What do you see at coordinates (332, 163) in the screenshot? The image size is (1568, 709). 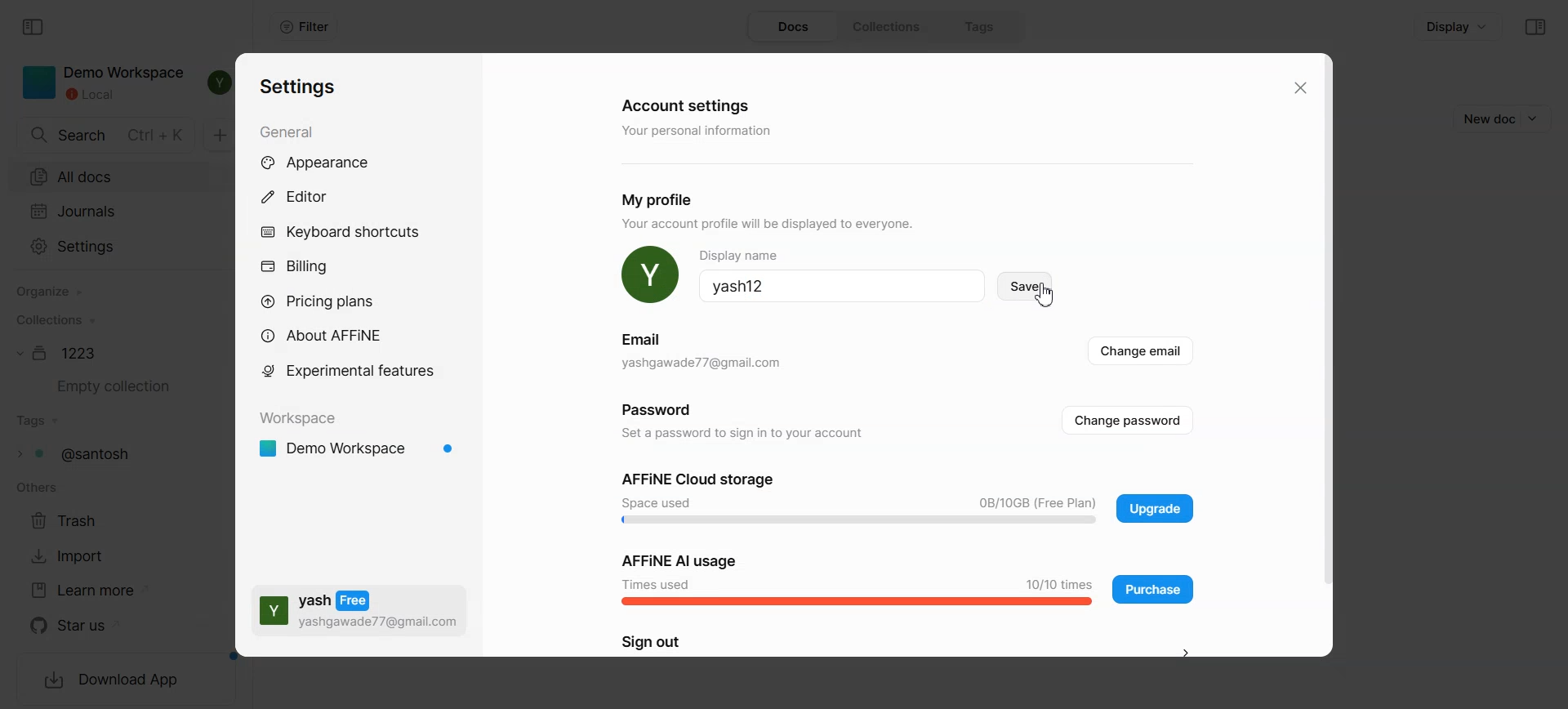 I see `Appearance` at bounding box center [332, 163].